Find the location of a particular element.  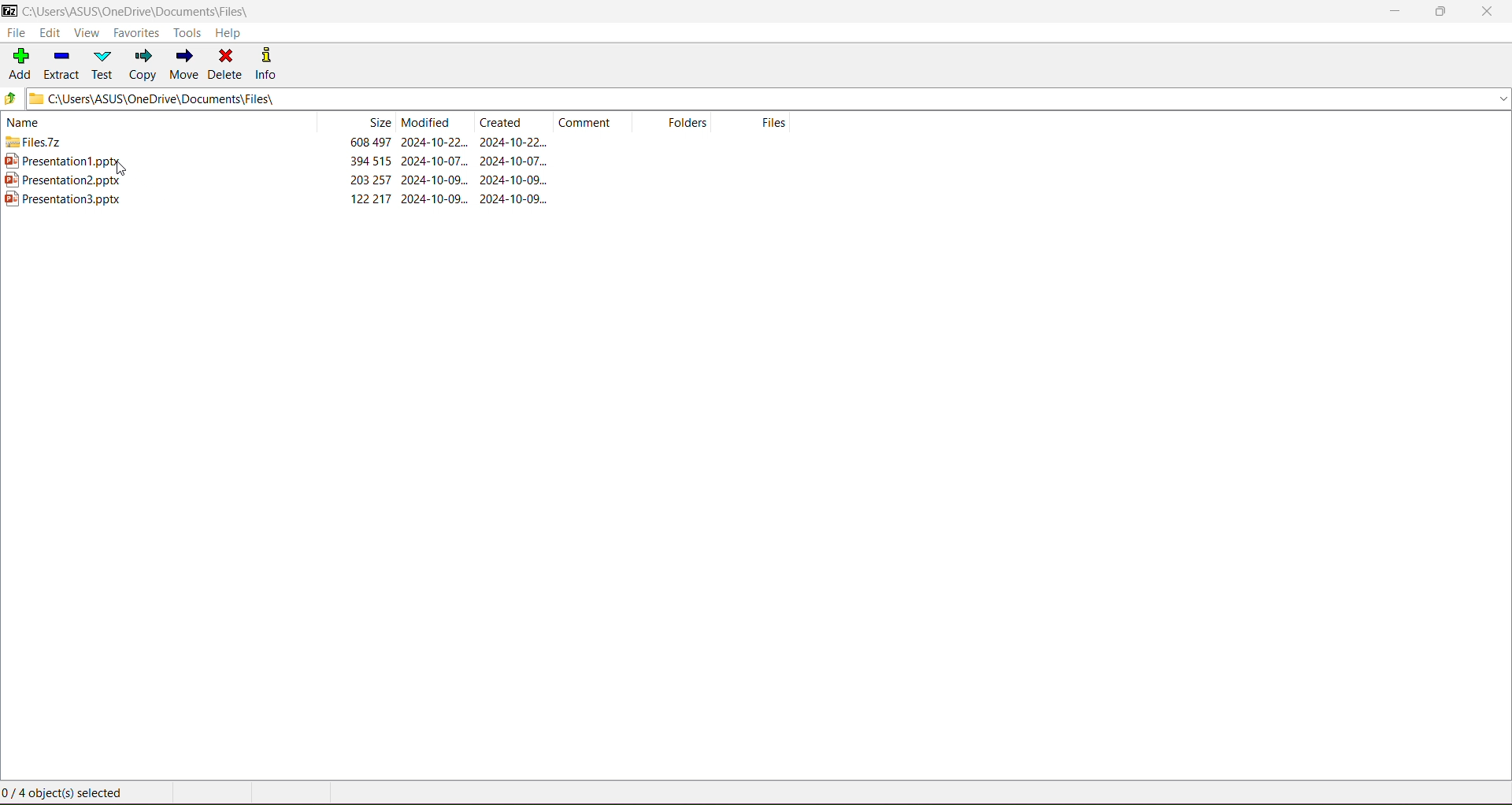

Edit is located at coordinates (50, 33).